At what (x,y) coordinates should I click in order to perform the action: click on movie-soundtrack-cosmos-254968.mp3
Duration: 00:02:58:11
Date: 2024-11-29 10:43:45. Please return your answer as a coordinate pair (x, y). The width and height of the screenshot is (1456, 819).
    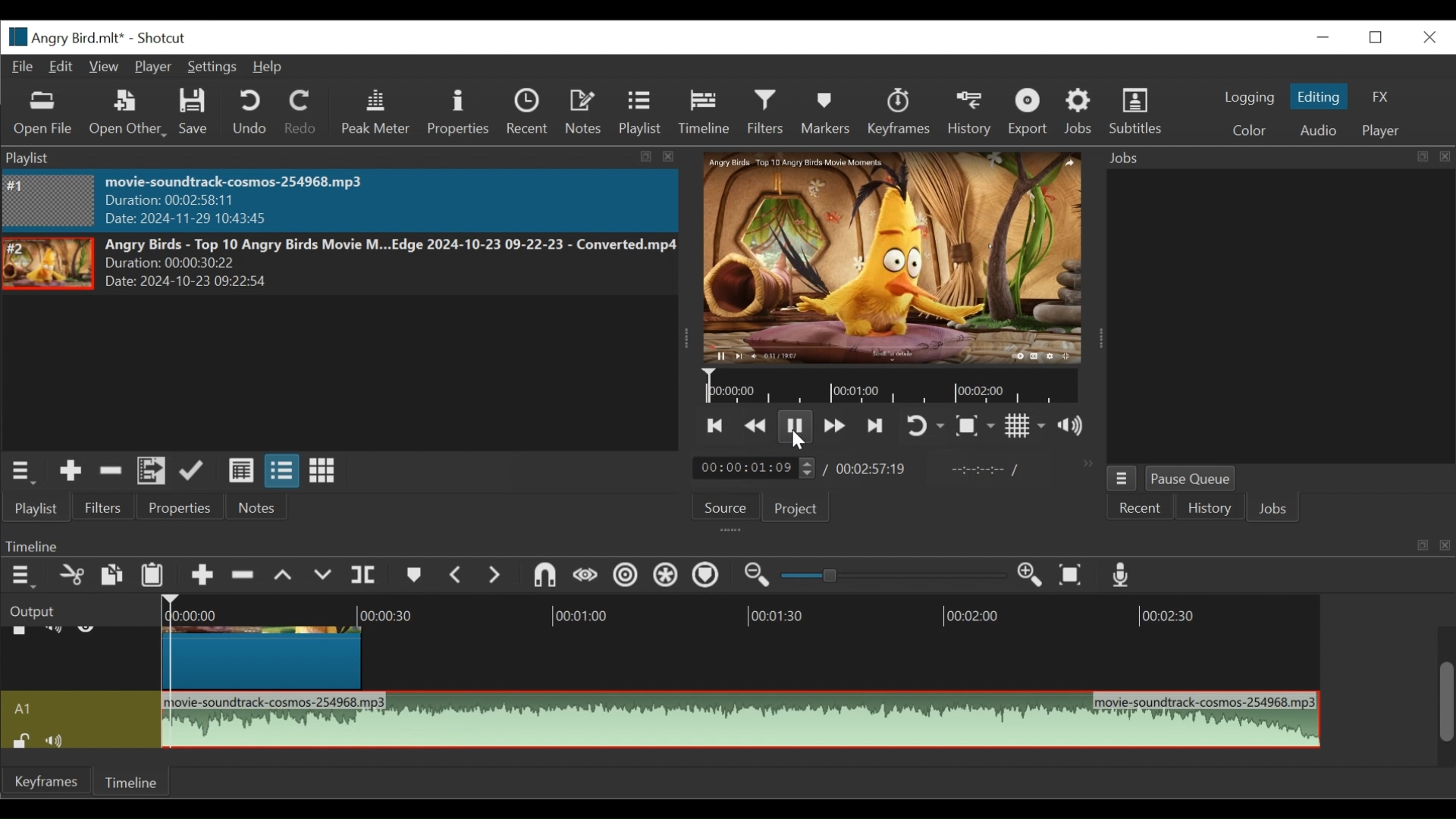
    Looking at the image, I should click on (268, 201).